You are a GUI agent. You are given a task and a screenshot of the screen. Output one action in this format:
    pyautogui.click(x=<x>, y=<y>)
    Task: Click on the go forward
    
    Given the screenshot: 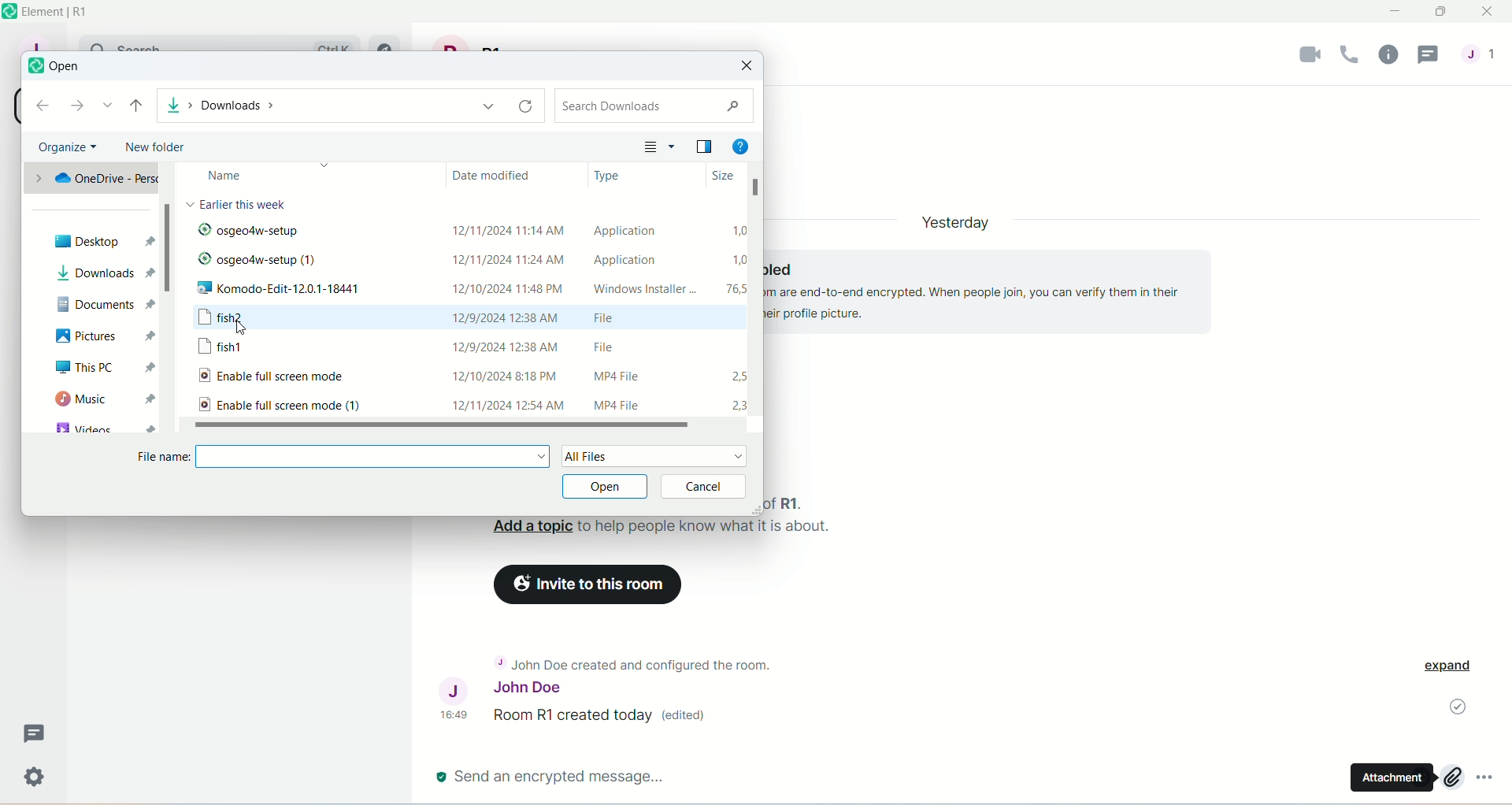 What is the action you would take?
    pyautogui.click(x=76, y=107)
    